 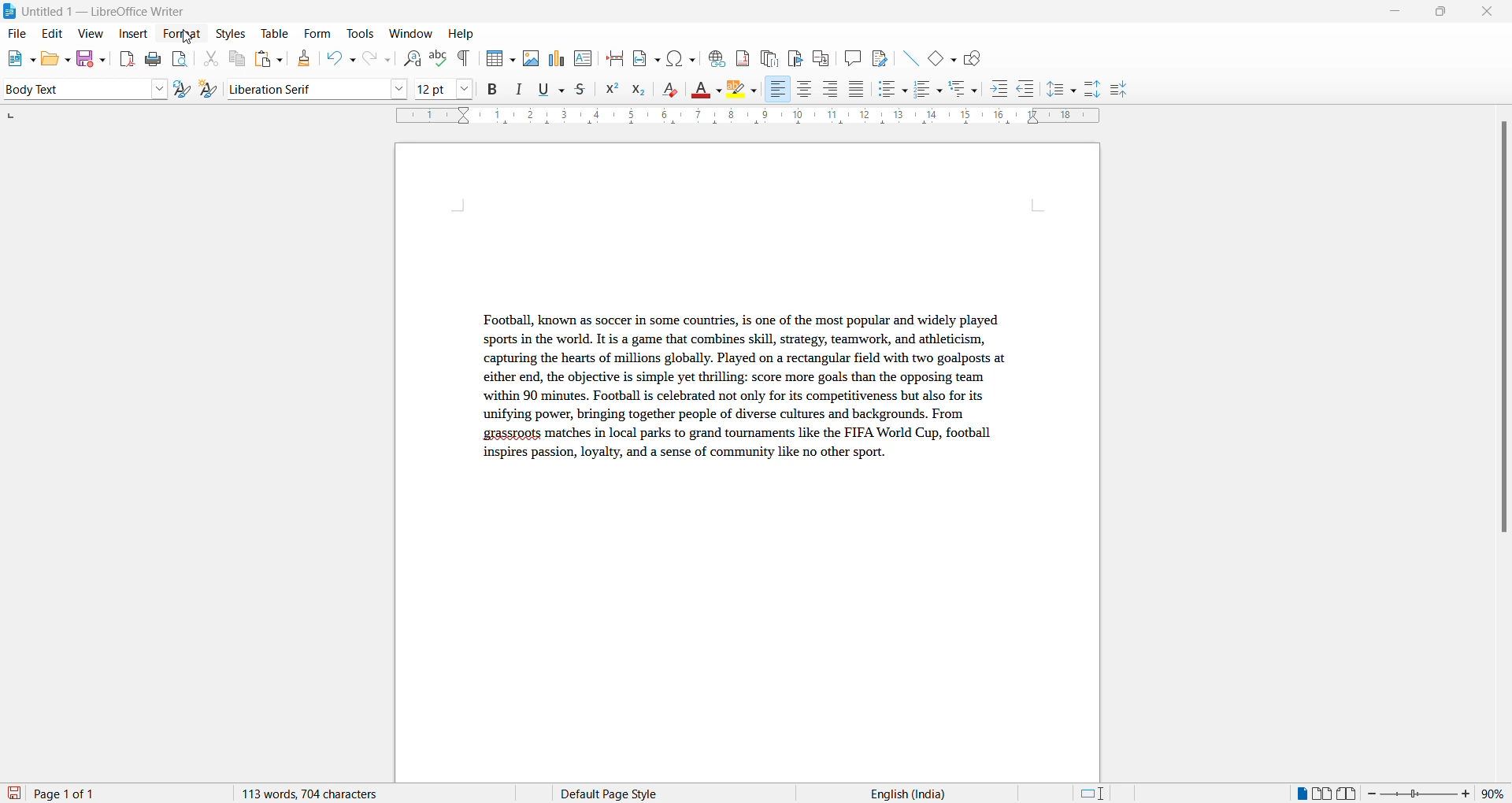 What do you see at coordinates (154, 59) in the screenshot?
I see `print` at bounding box center [154, 59].